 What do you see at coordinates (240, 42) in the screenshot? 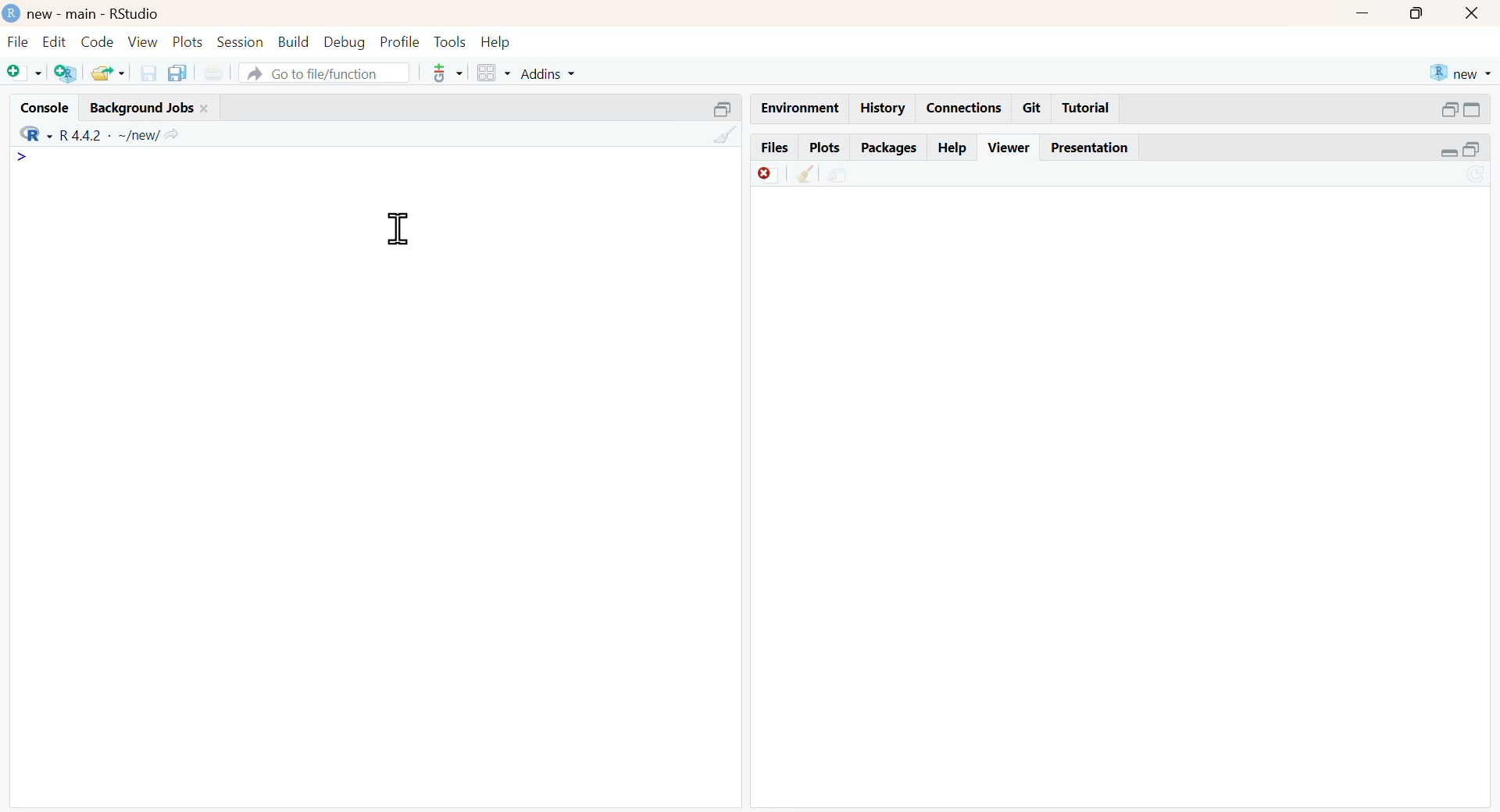
I see `Session` at bounding box center [240, 42].